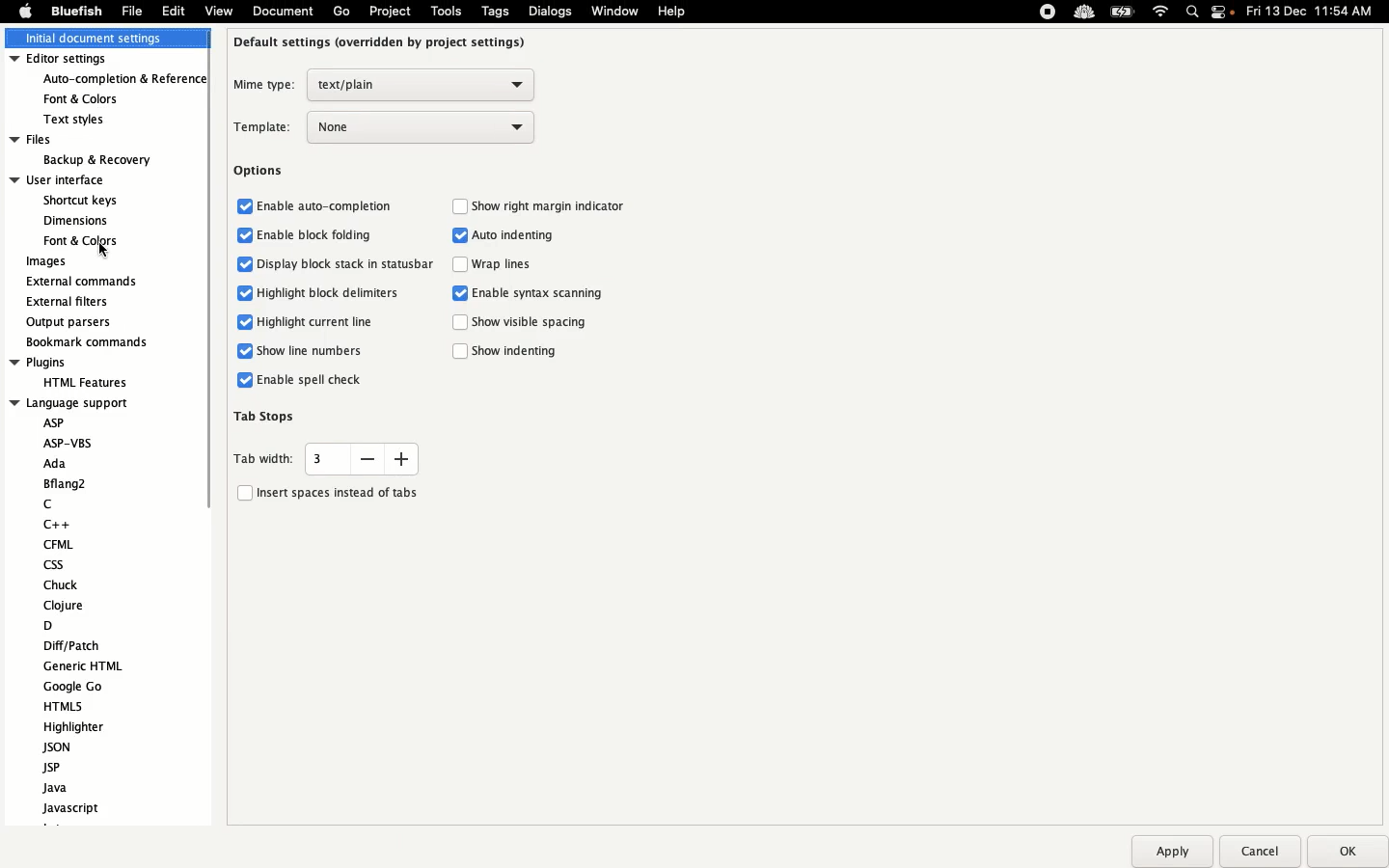 The width and height of the screenshot is (1389, 868). What do you see at coordinates (511, 352) in the screenshot?
I see `Show indenting` at bounding box center [511, 352].